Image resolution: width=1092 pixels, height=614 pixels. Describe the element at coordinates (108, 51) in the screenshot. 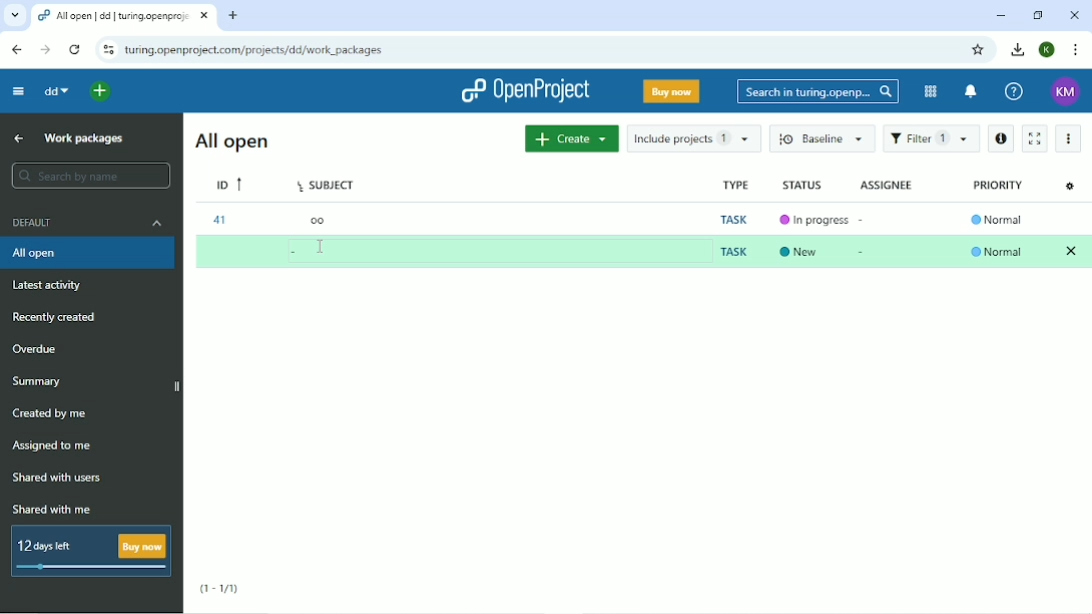

I see `View site information` at that location.